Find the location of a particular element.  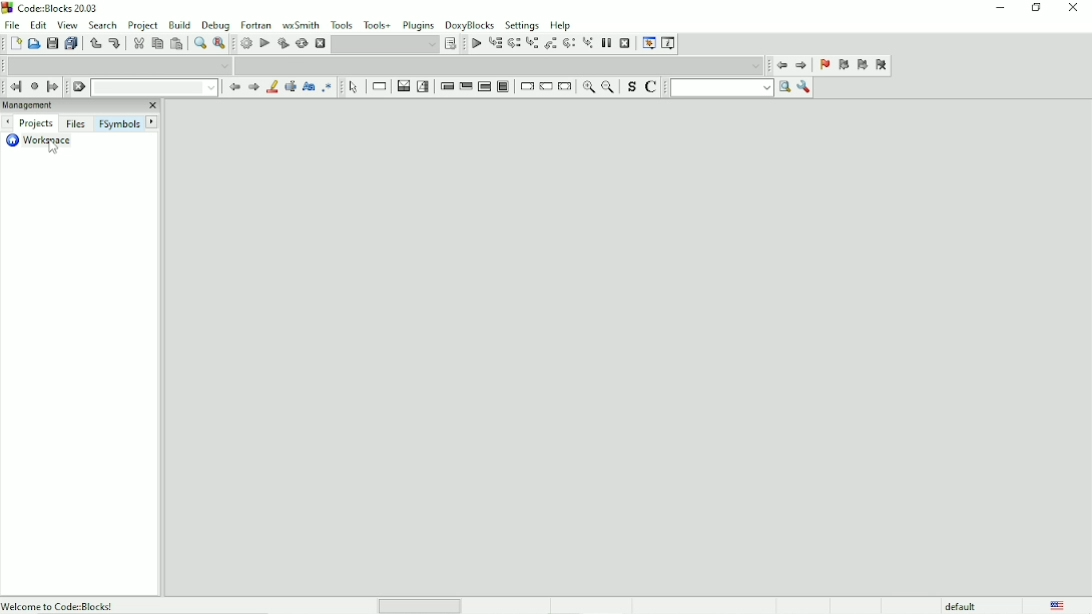

Code::Blocks 20.03 is located at coordinates (51, 8).